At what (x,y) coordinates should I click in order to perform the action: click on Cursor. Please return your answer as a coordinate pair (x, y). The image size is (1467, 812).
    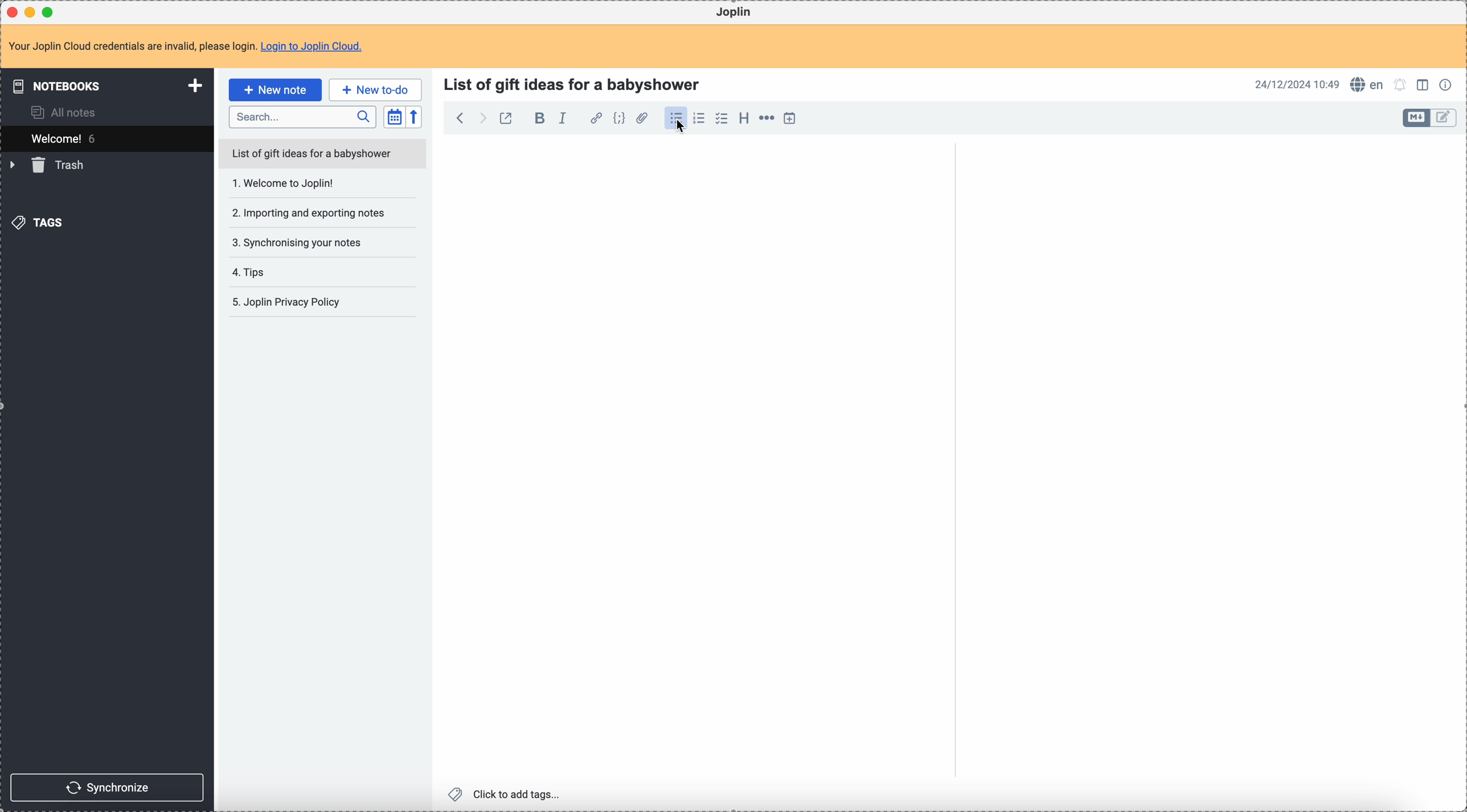
    Looking at the image, I should click on (682, 128).